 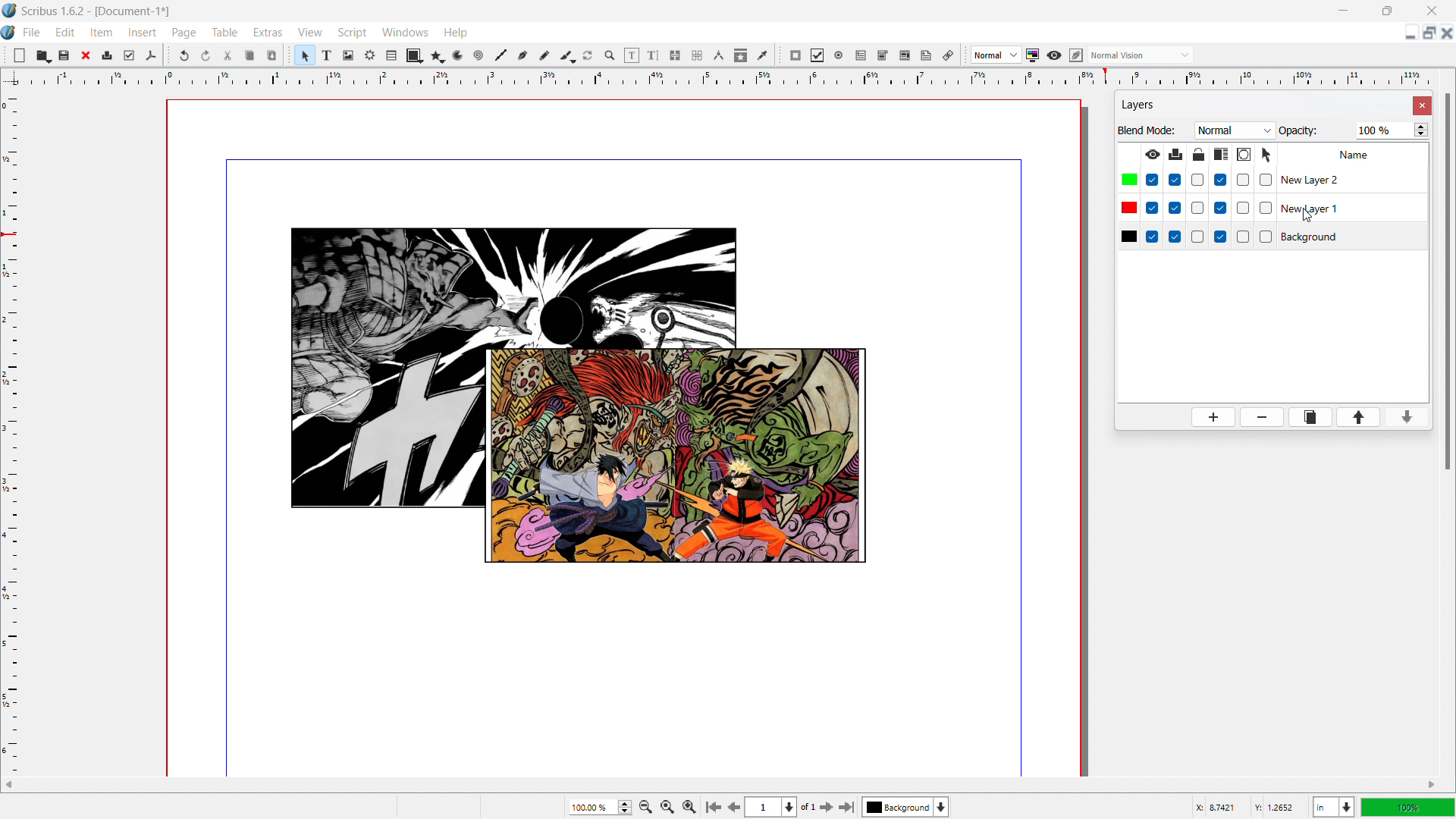 I want to click on Opacity, so click(x=1299, y=129).